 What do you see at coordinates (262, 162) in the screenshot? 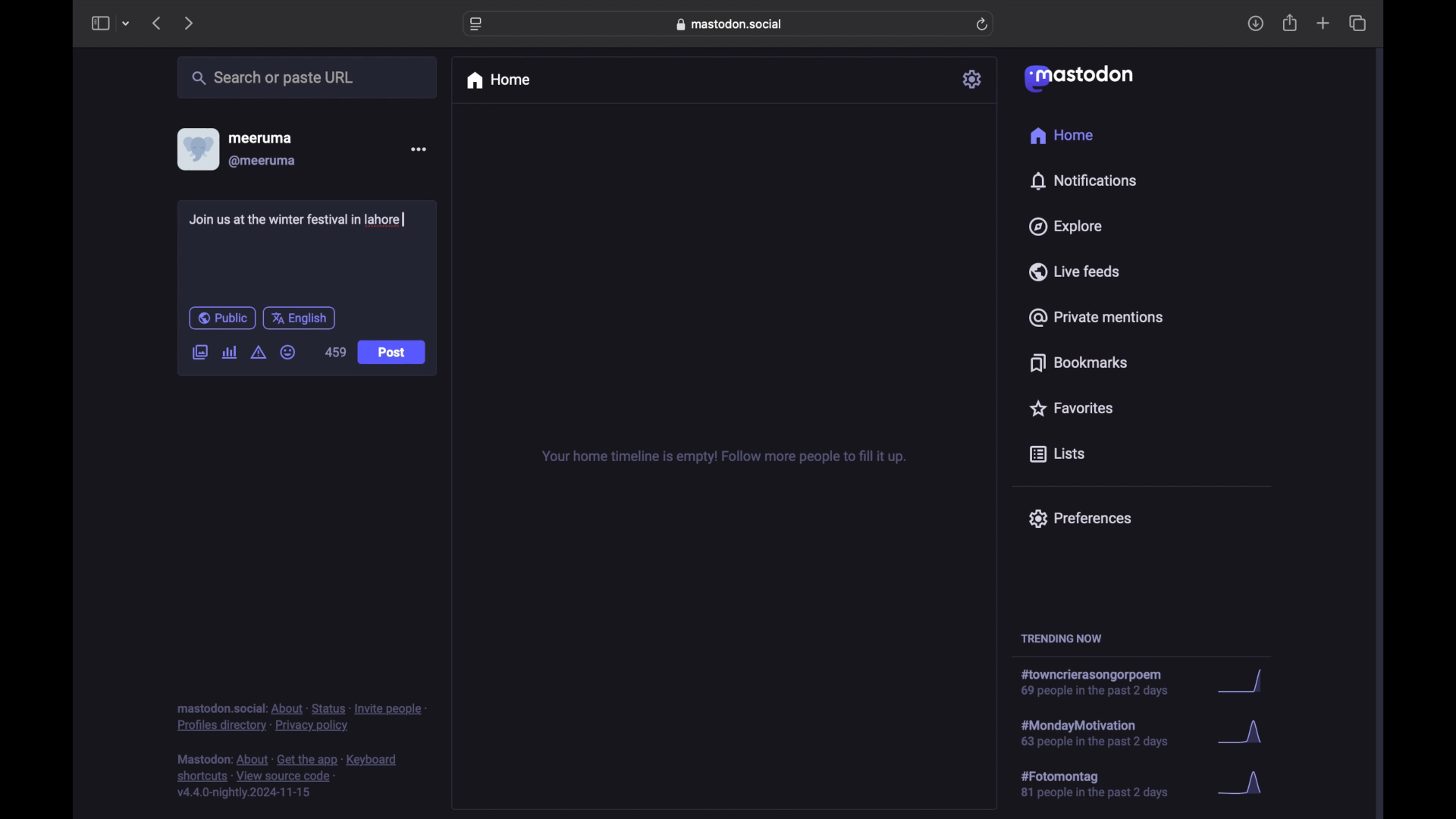
I see `@meeruma` at bounding box center [262, 162].